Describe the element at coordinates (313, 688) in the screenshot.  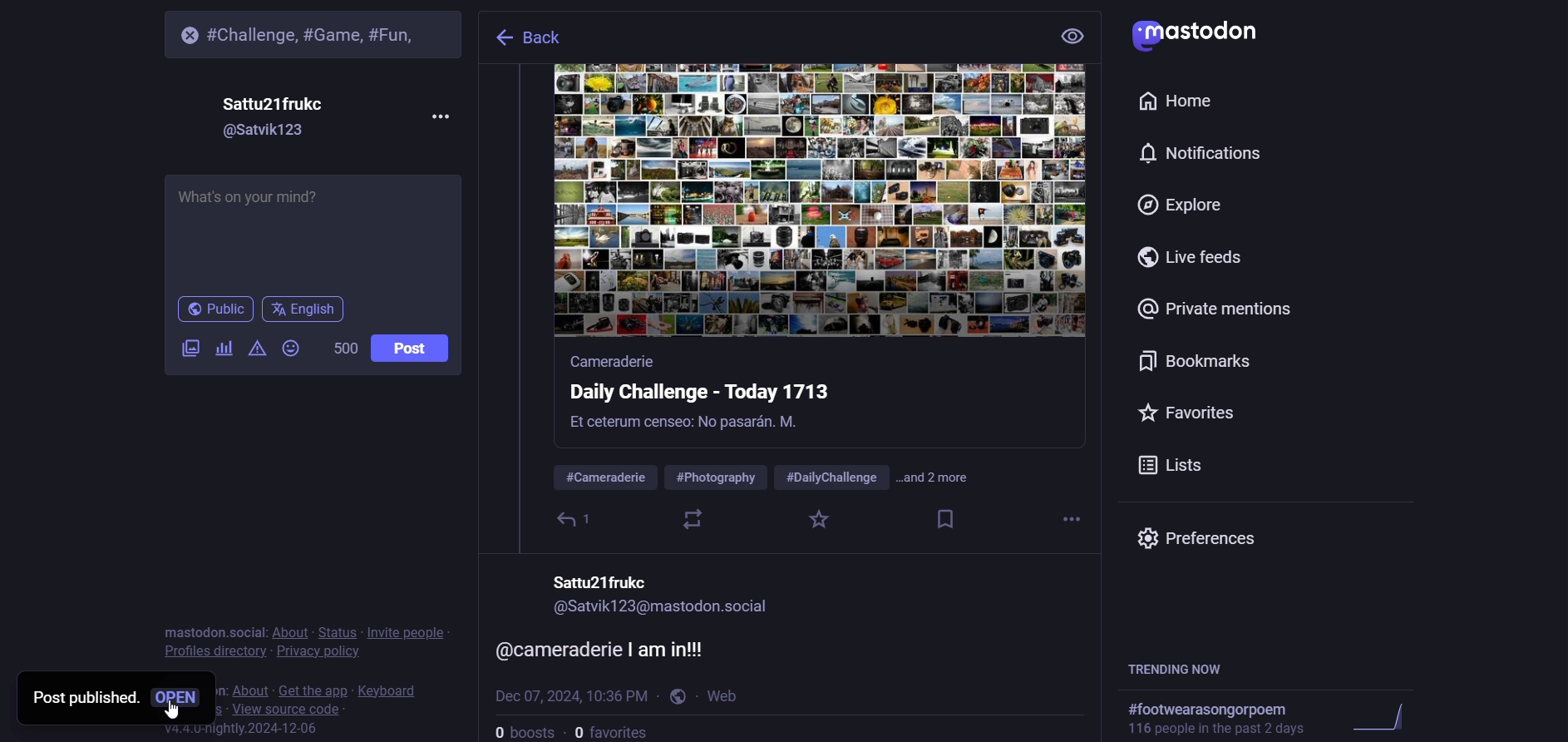
I see `get the app` at that location.